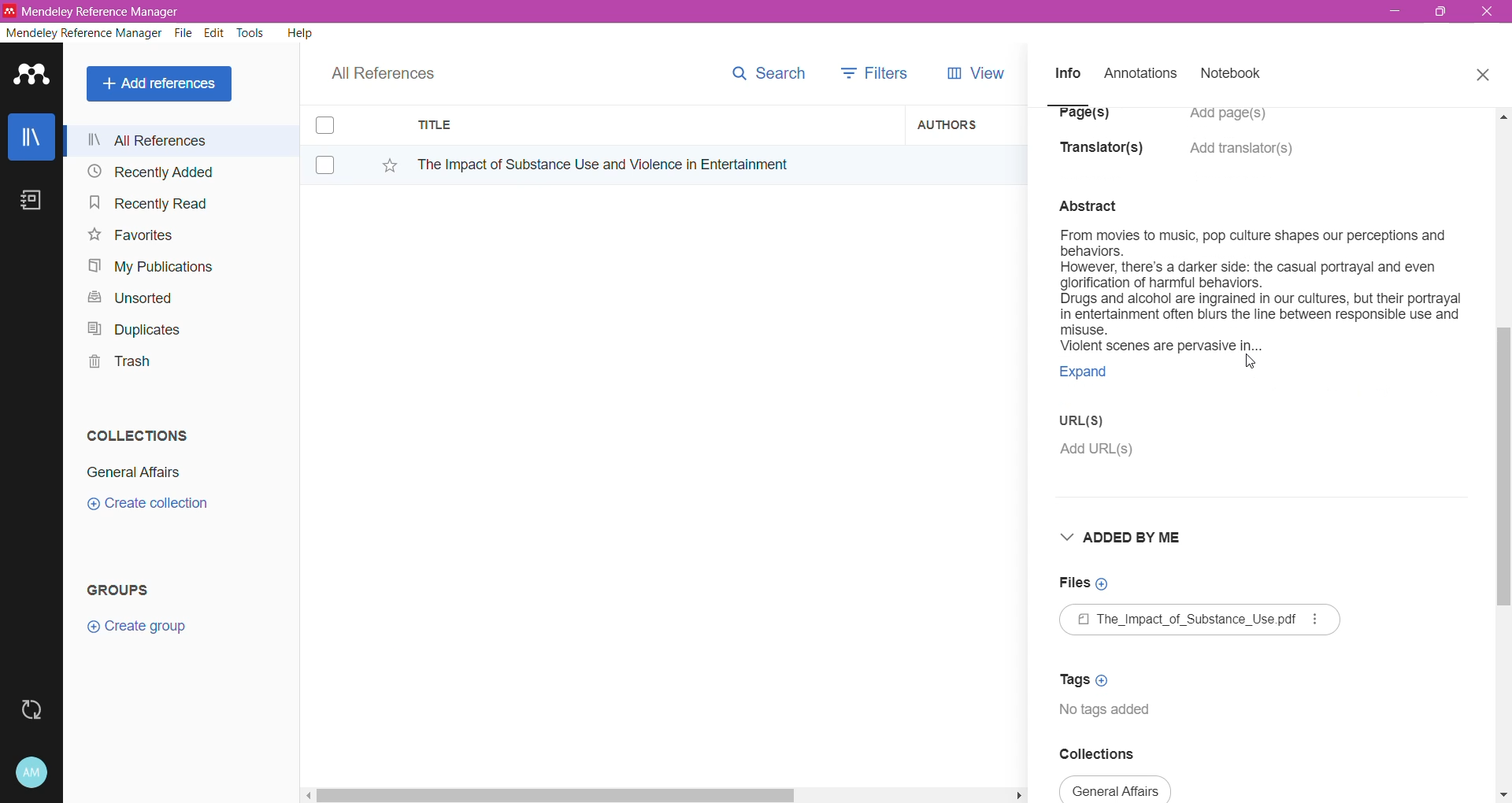 This screenshot has height=803, width=1512. Describe the element at coordinates (662, 794) in the screenshot. I see `Horizontal Scroll Bar` at that location.